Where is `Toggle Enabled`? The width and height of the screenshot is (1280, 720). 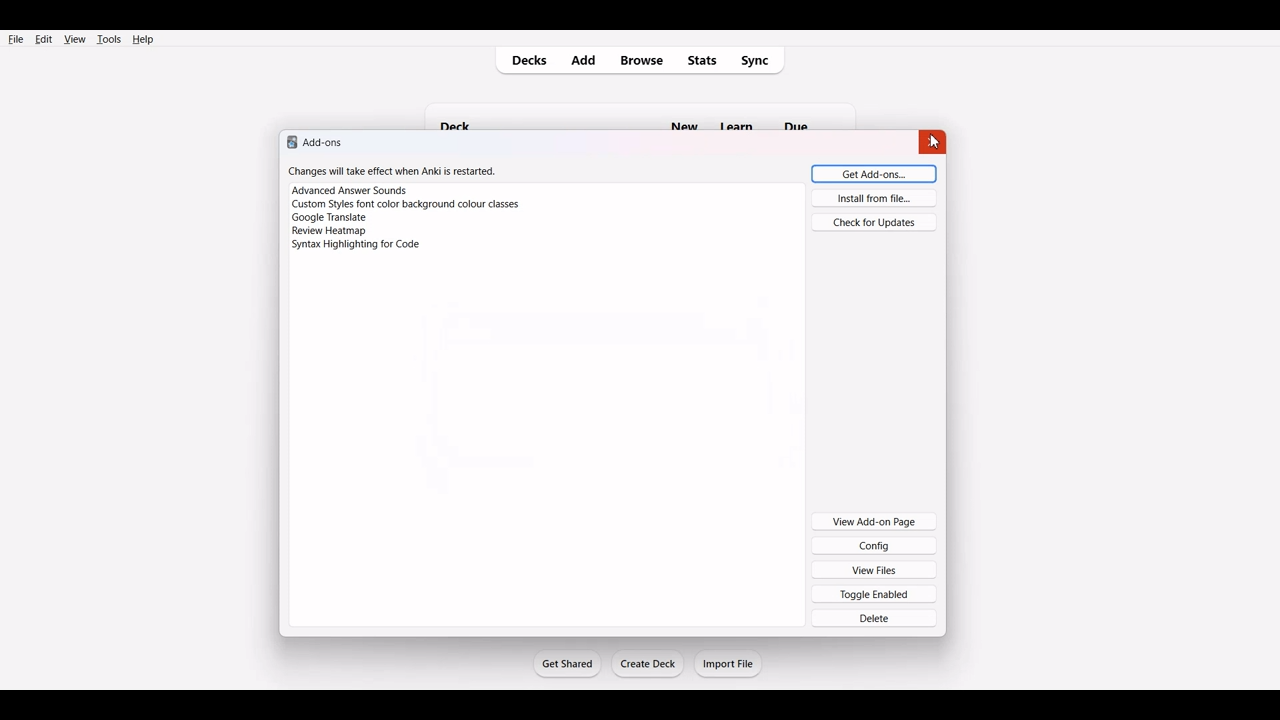
Toggle Enabled is located at coordinates (875, 593).